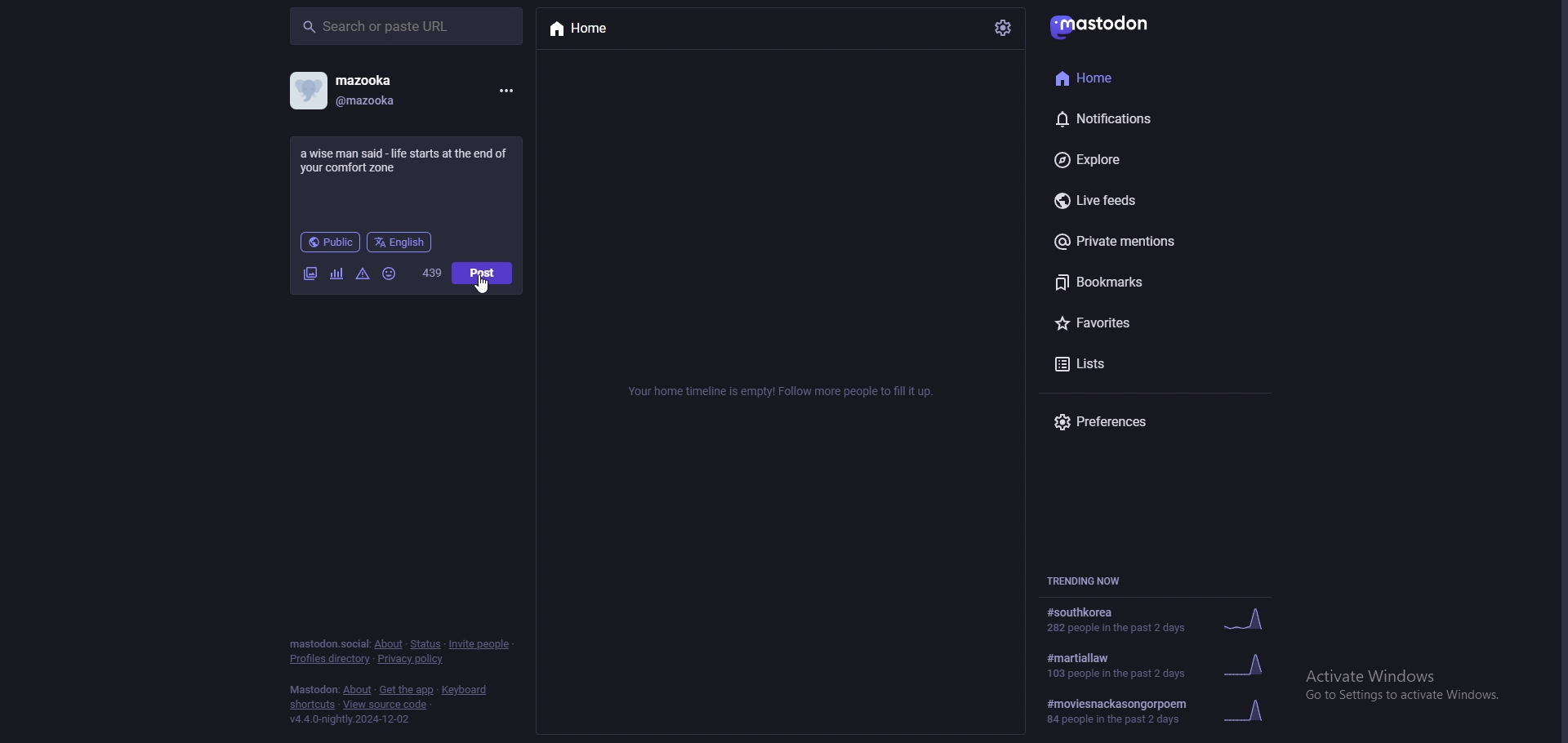 The width and height of the screenshot is (1568, 743). Describe the element at coordinates (327, 643) in the screenshot. I see `mastodon social` at that location.